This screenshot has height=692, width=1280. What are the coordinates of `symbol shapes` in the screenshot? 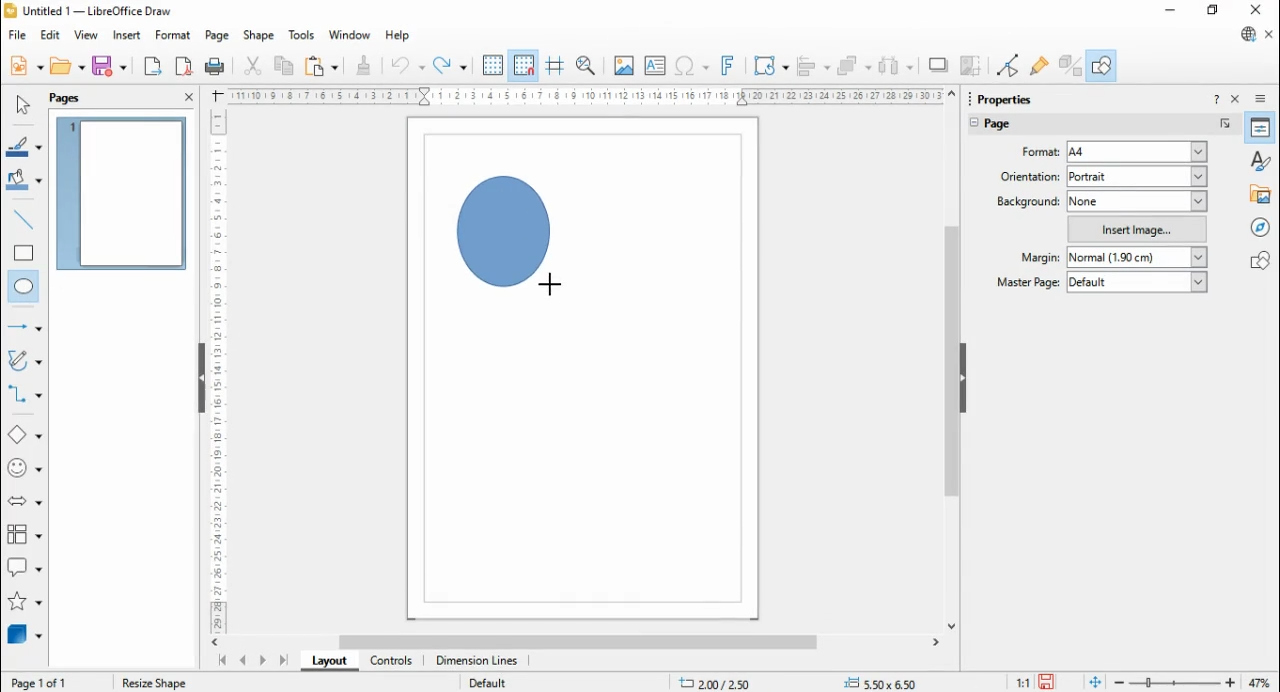 It's located at (26, 470).